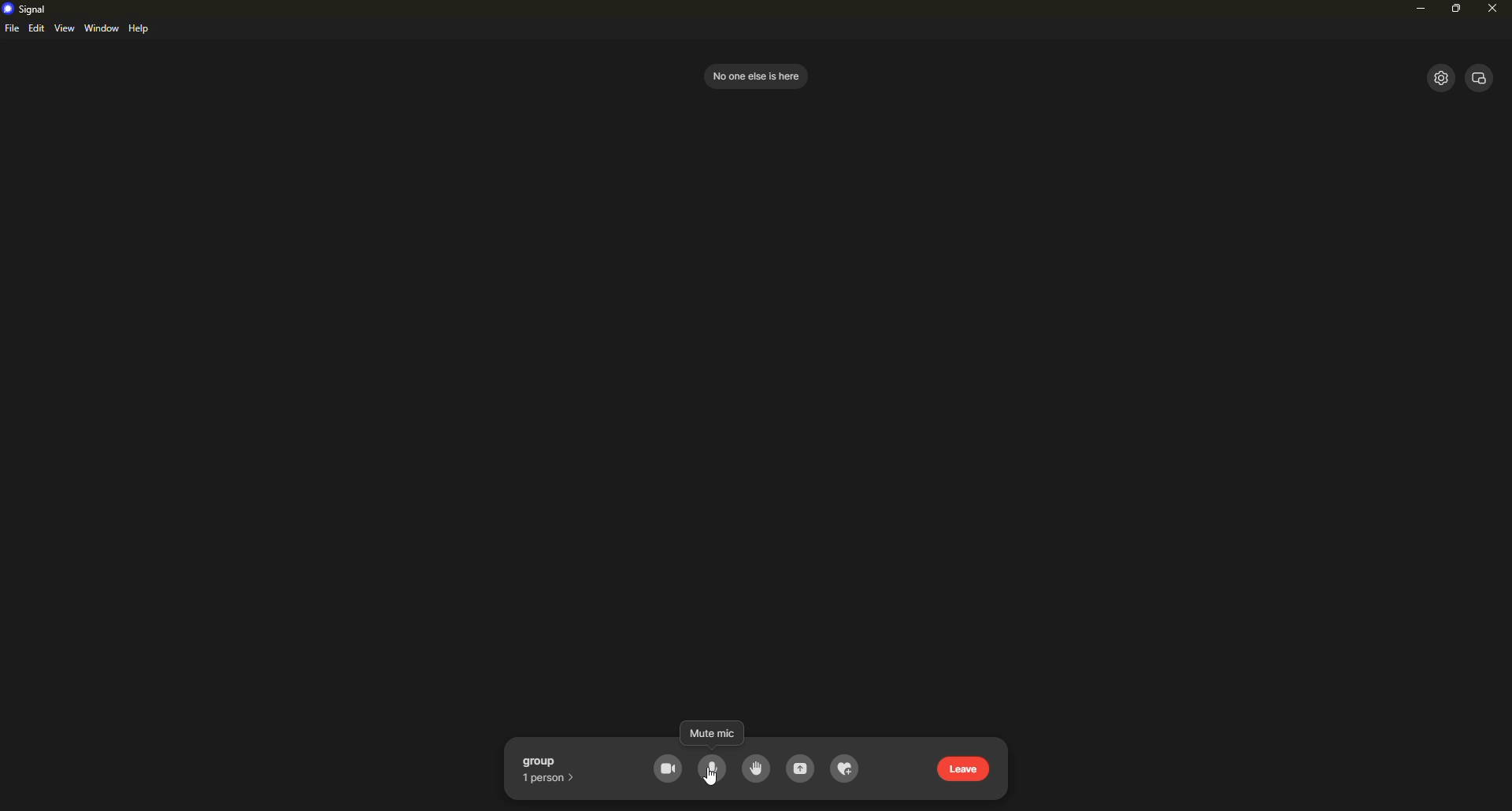 This screenshot has height=811, width=1512. What do you see at coordinates (142, 29) in the screenshot?
I see `help` at bounding box center [142, 29].